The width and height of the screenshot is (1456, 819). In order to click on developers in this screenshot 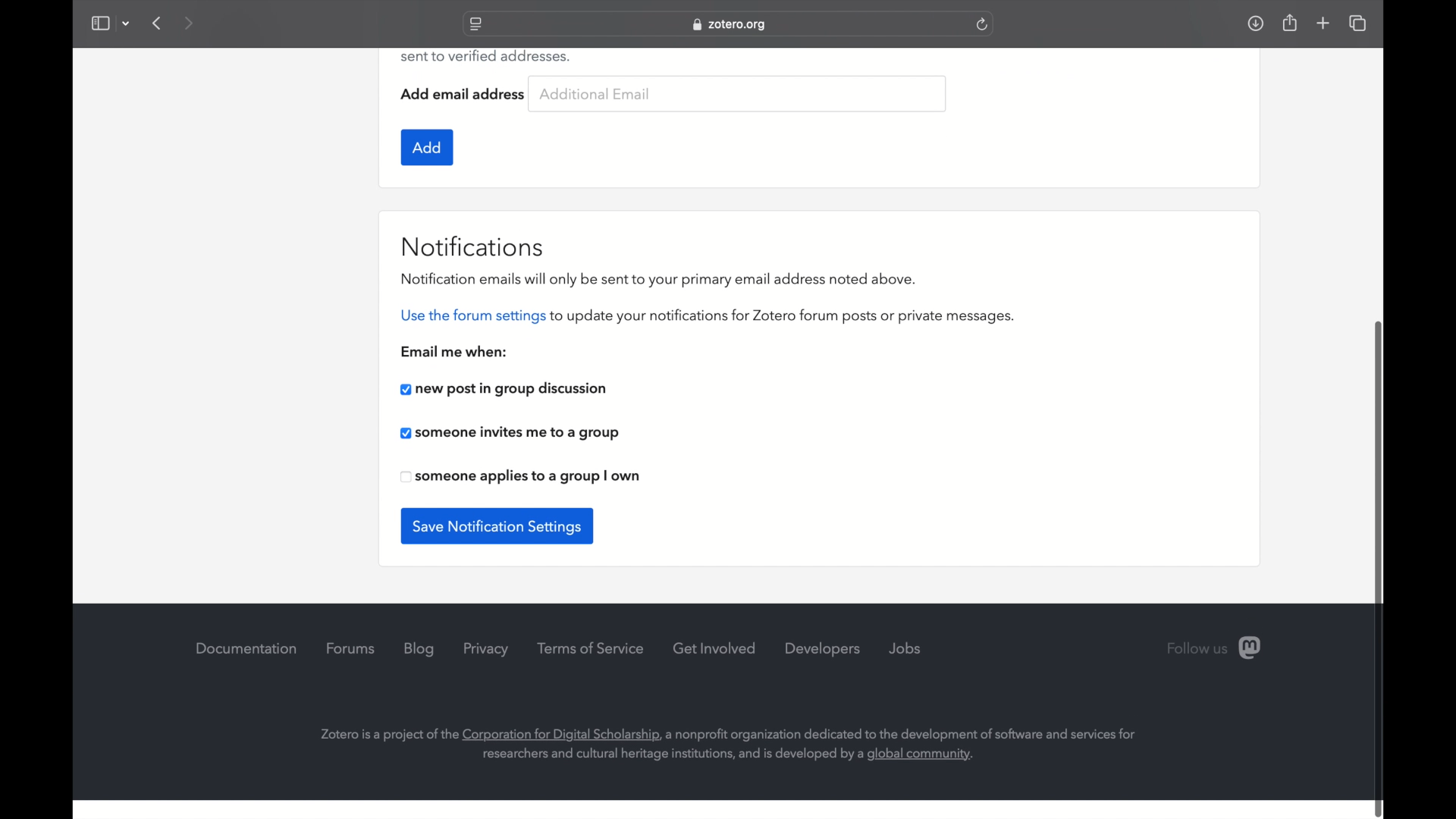, I will do `click(824, 649)`.